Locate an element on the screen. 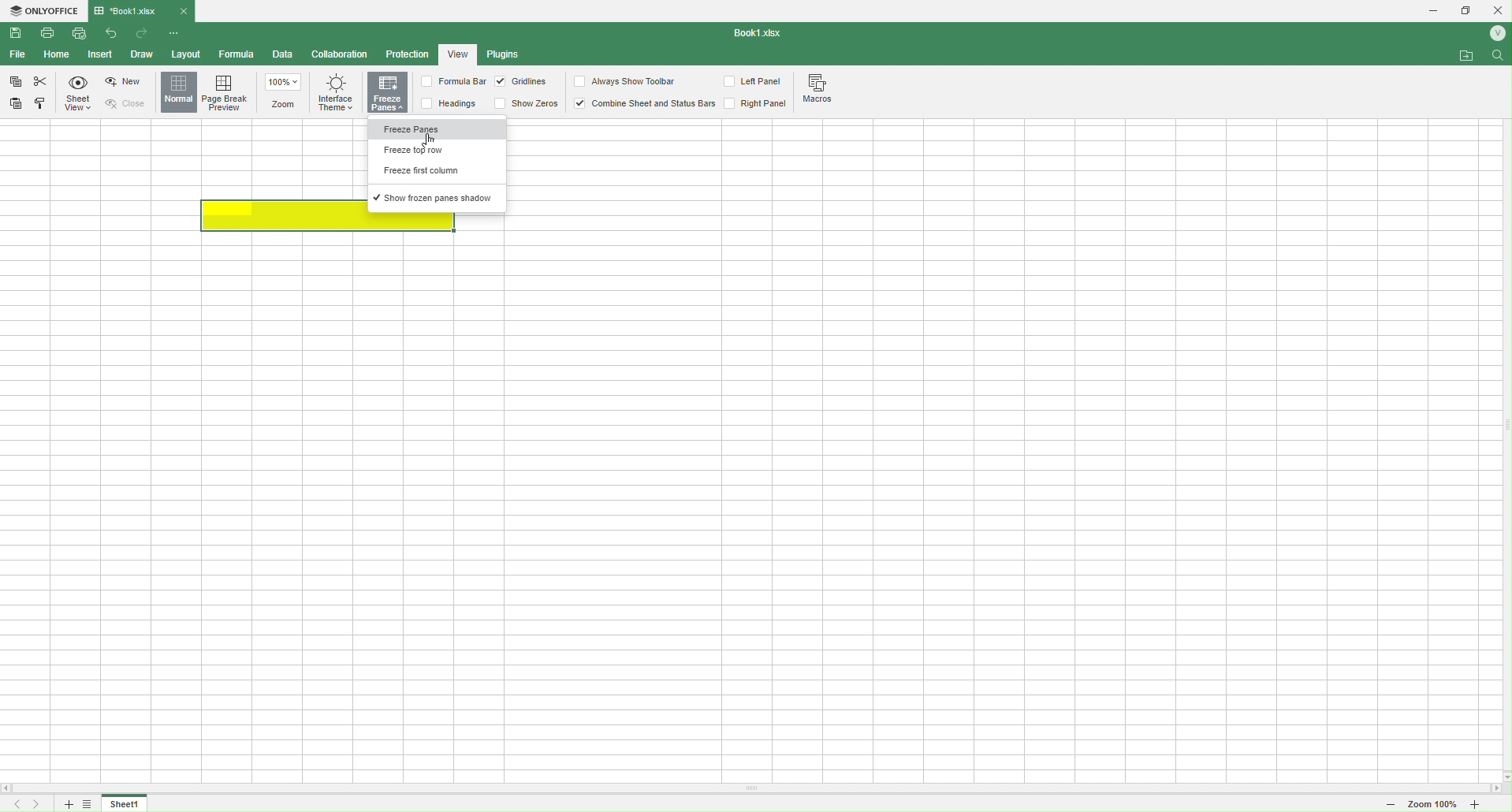 The width and height of the screenshot is (1512, 812). Plugins is located at coordinates (507, 55).